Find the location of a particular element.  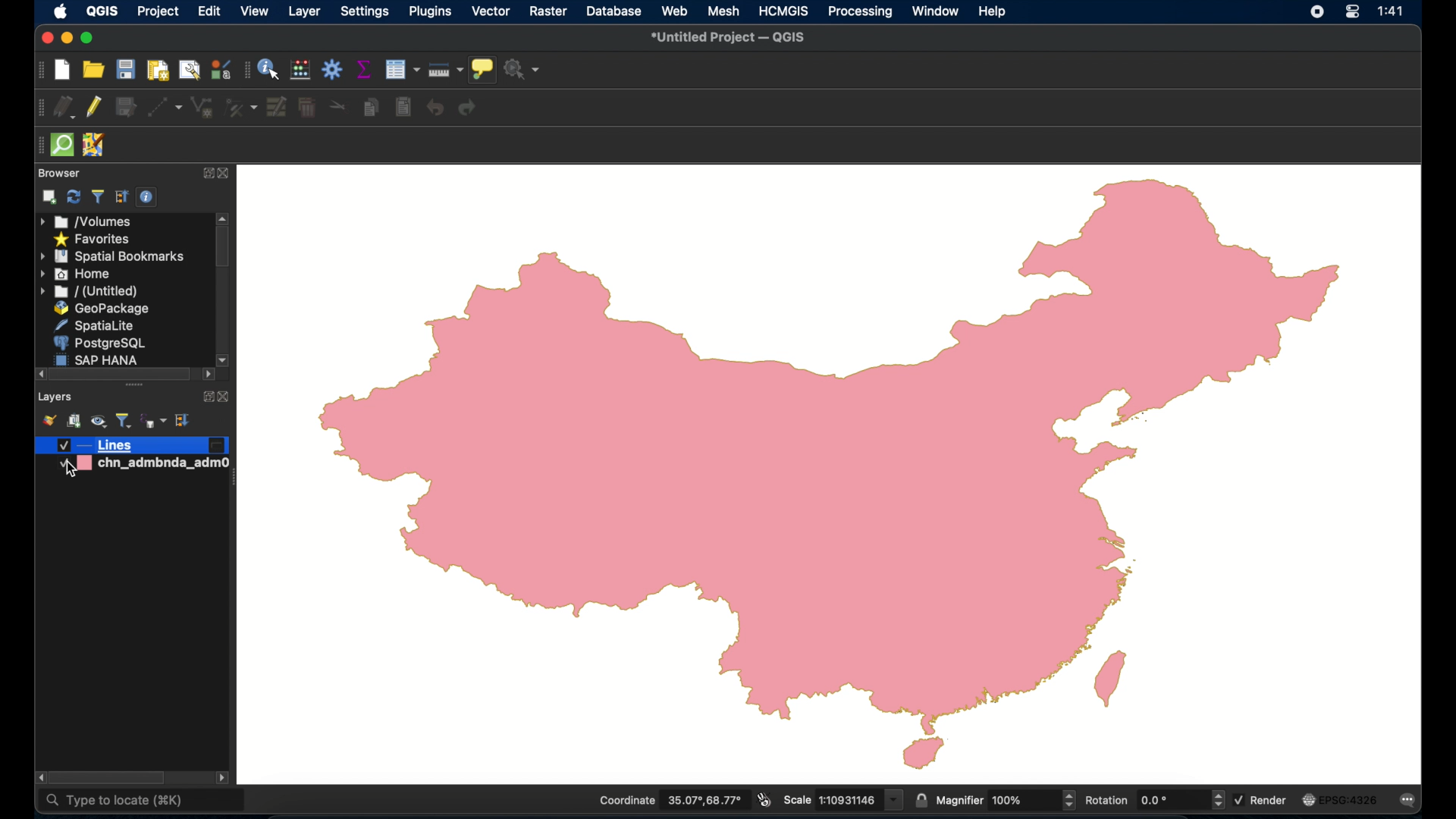

help is located at coordinates (994, 13).